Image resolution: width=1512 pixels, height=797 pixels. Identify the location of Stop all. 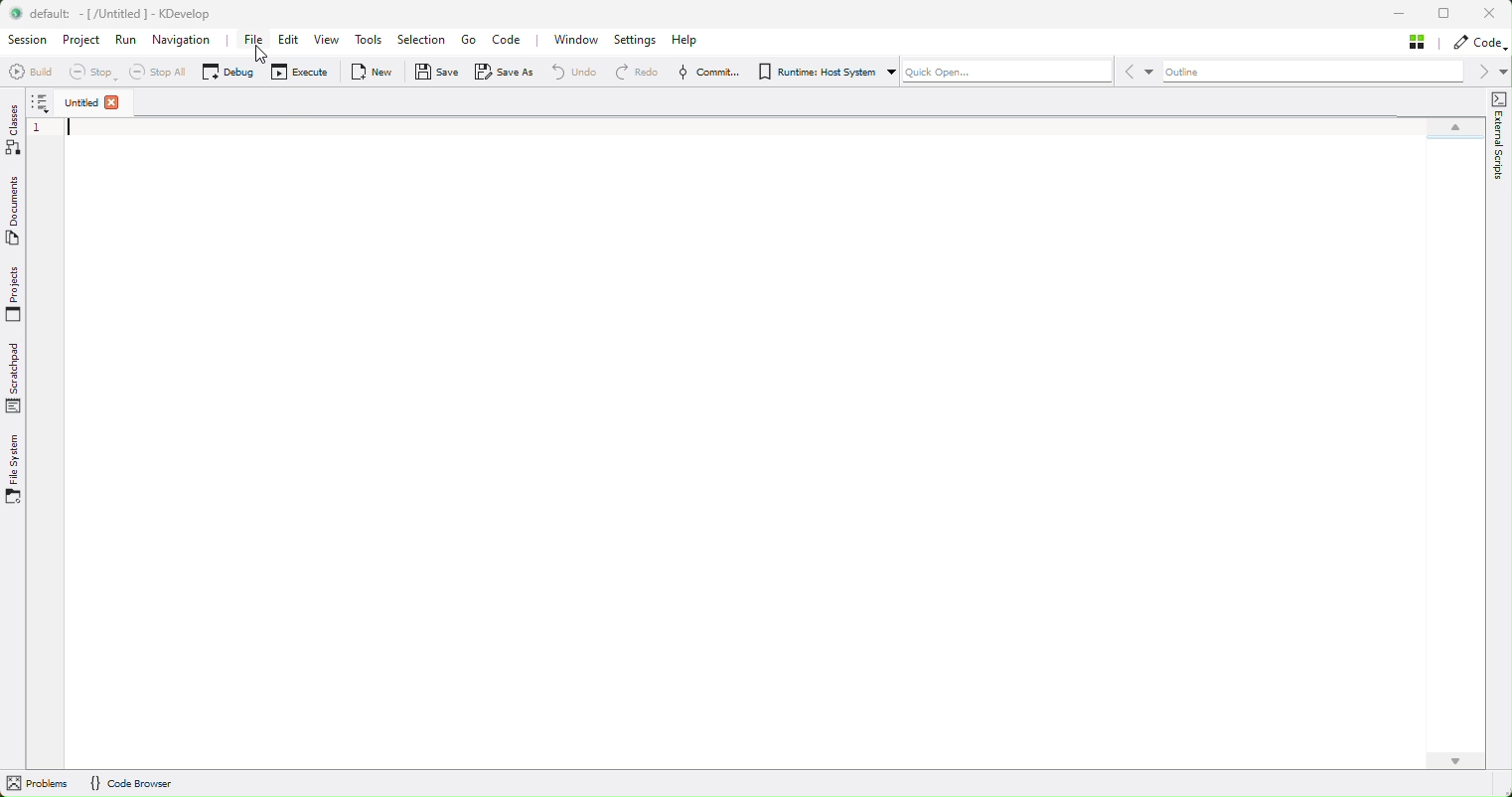
(165, 73).